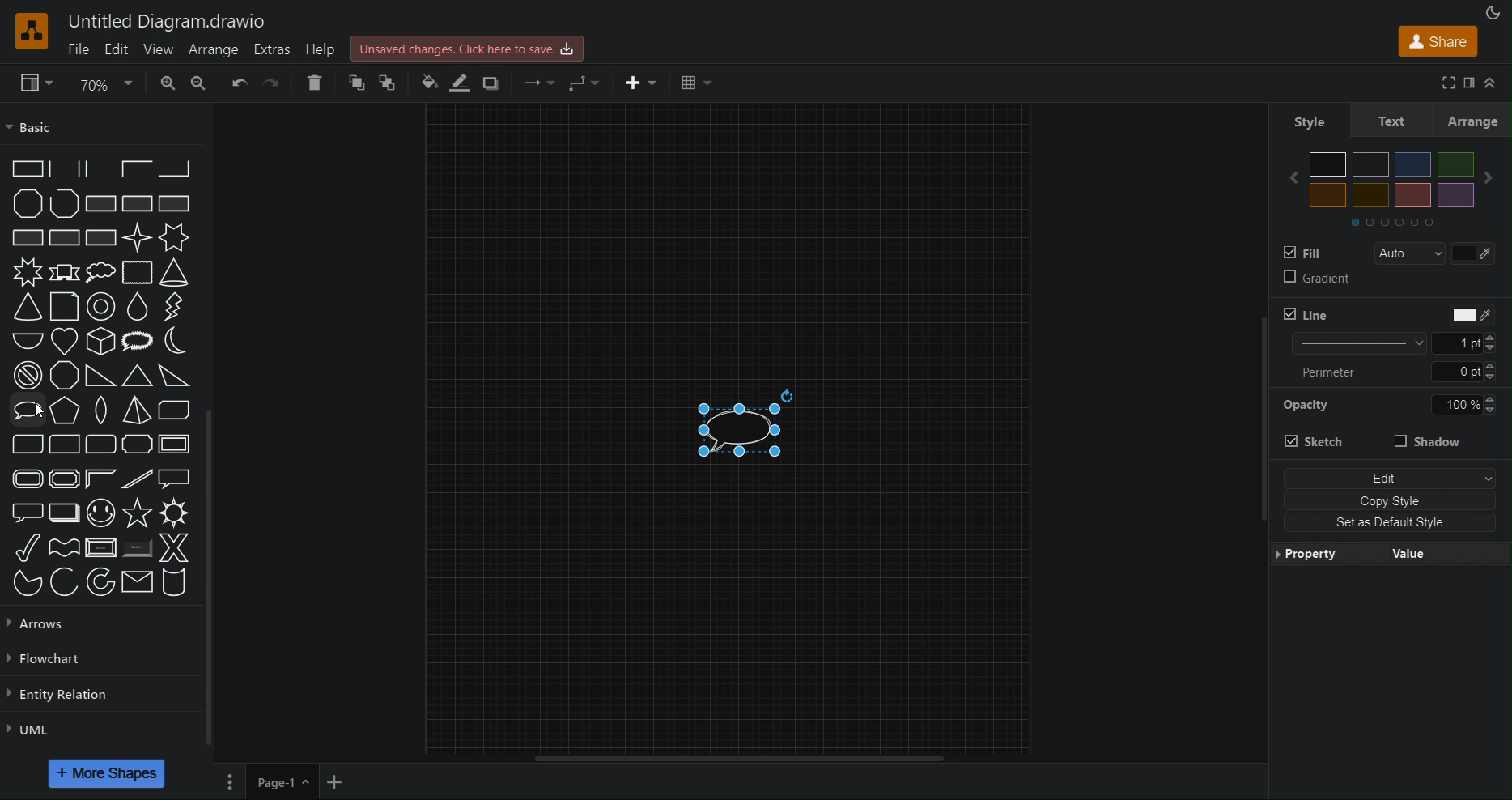 The height and width of the screenshot is (800, 1512). Describe the element at coordinates (1387, 526) in the screenshot. I see `Set as Default Style` at that location.